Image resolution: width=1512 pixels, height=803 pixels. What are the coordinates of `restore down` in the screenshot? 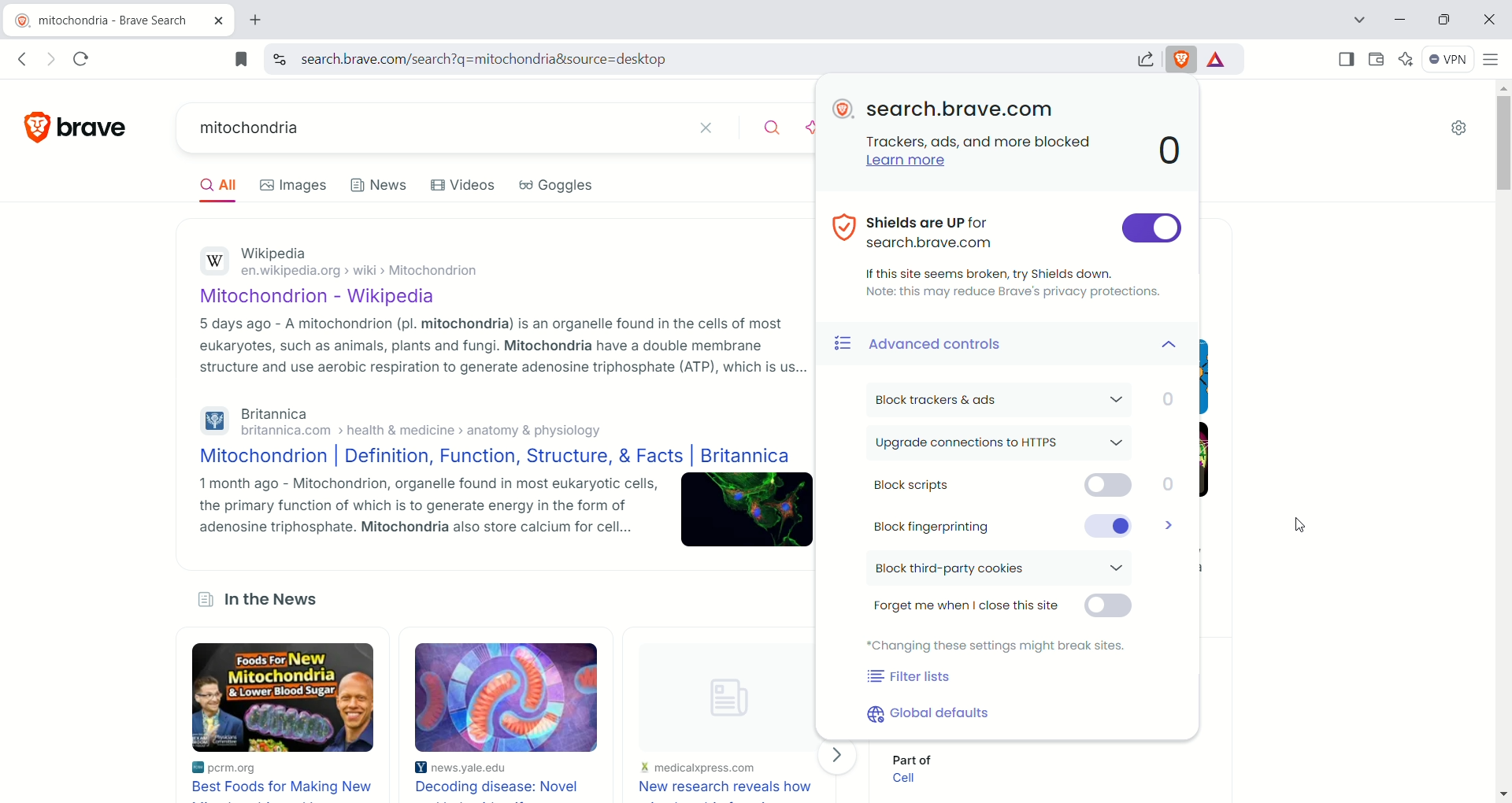 It's located at (1447, 22).